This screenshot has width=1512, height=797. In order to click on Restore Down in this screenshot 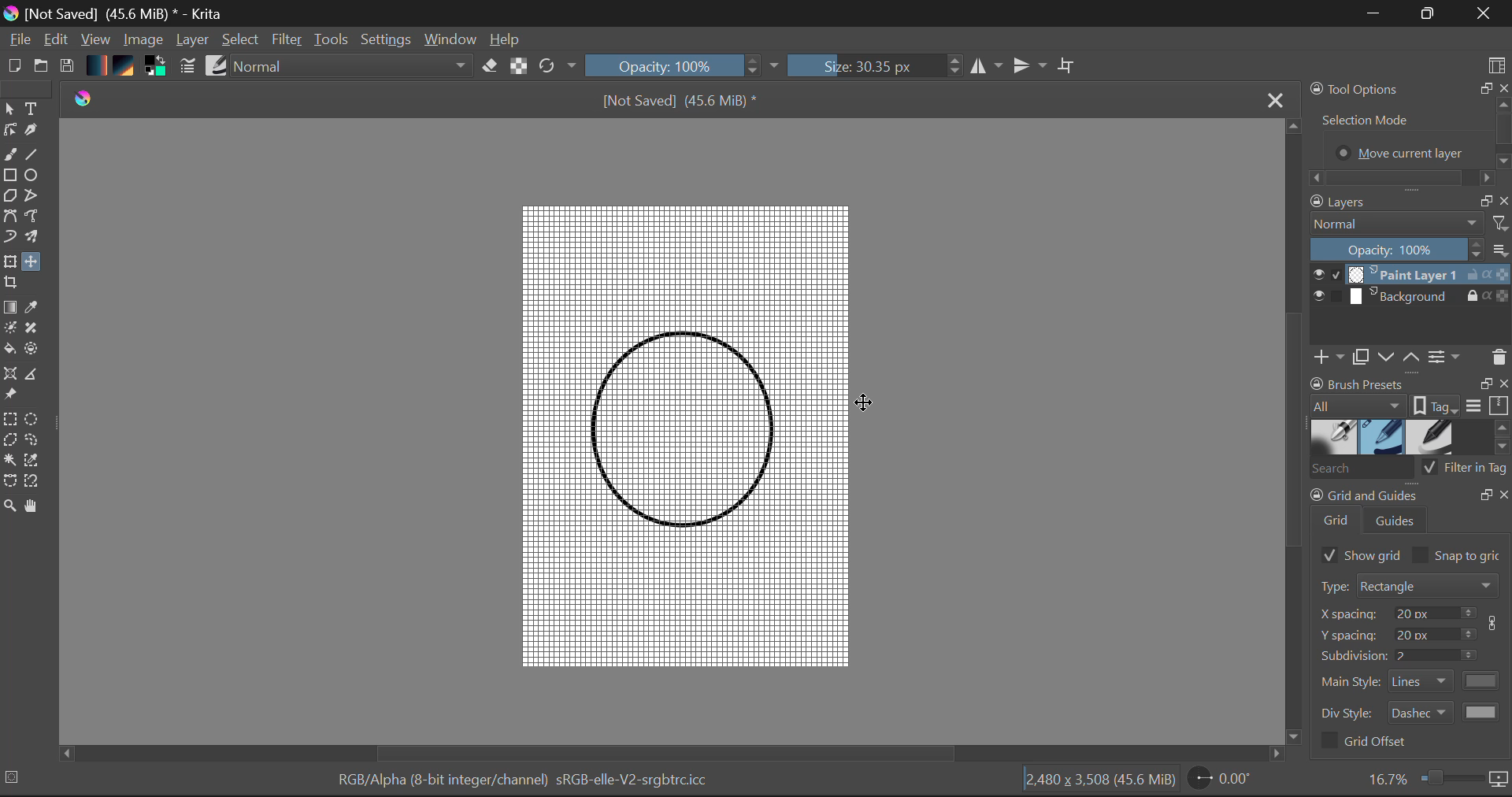, I will do `click(1374, 14)`.